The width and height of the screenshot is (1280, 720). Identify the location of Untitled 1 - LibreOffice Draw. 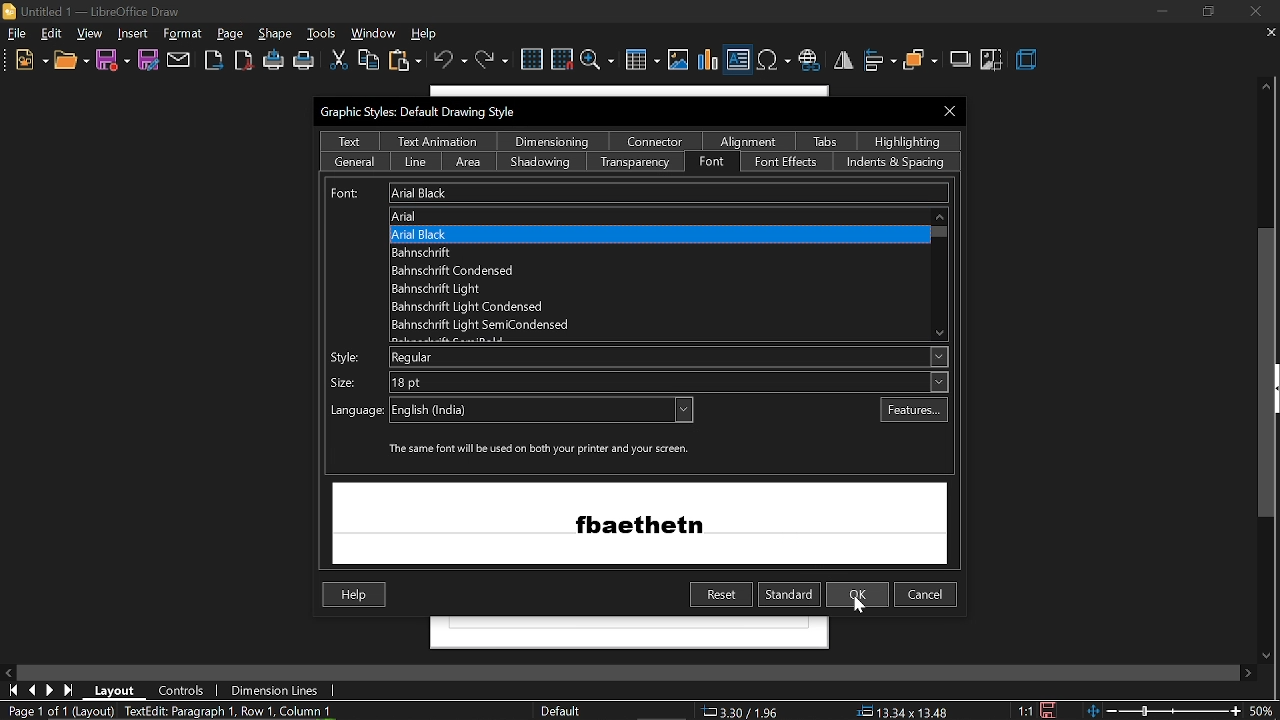
(92, 10).